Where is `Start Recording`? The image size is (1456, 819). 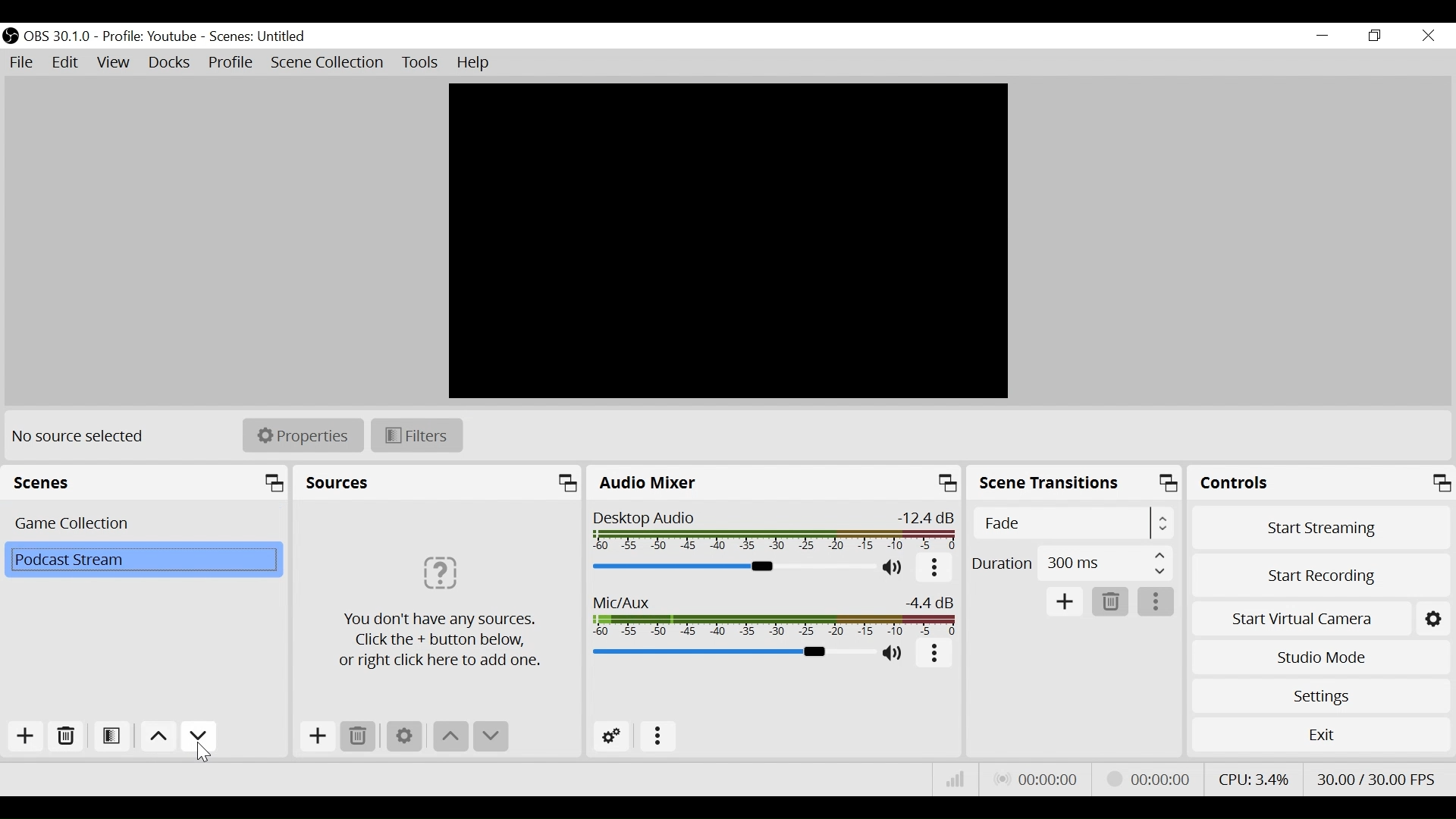 Start Recording is located at coordinates (1321, 573).